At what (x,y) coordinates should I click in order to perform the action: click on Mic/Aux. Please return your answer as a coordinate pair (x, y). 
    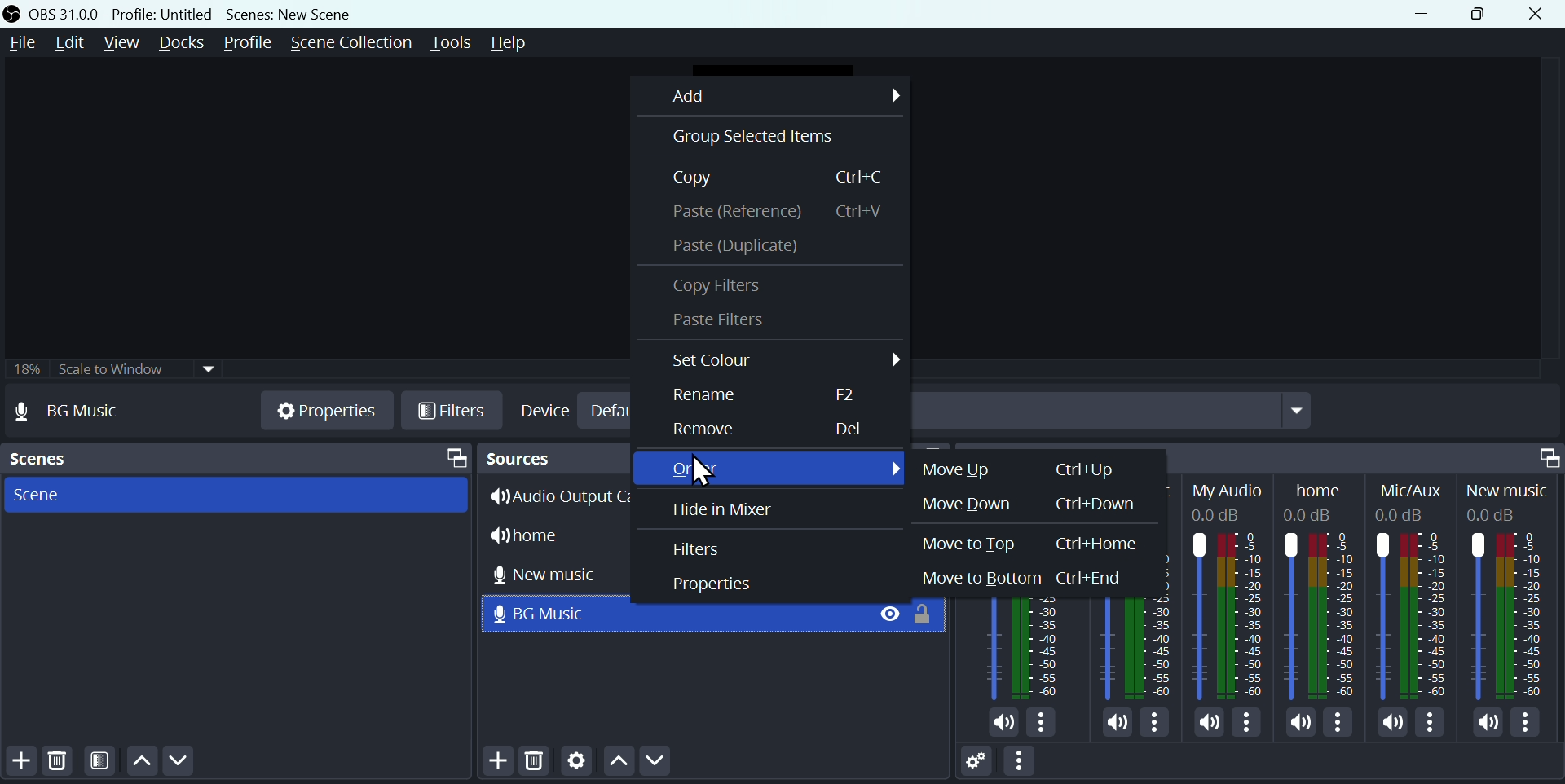
    Looking at the image, I should click on (1408, 590).